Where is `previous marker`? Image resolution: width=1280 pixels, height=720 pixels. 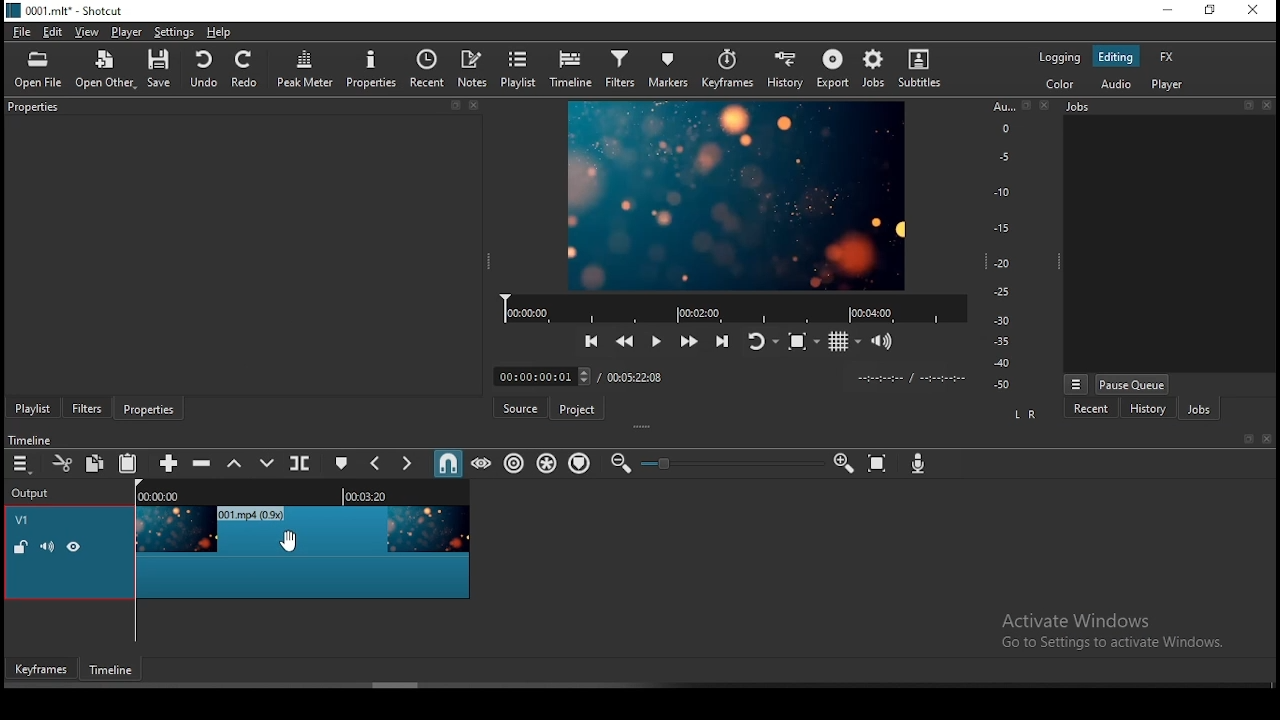 previous marker is located at coordinates (377, 463).